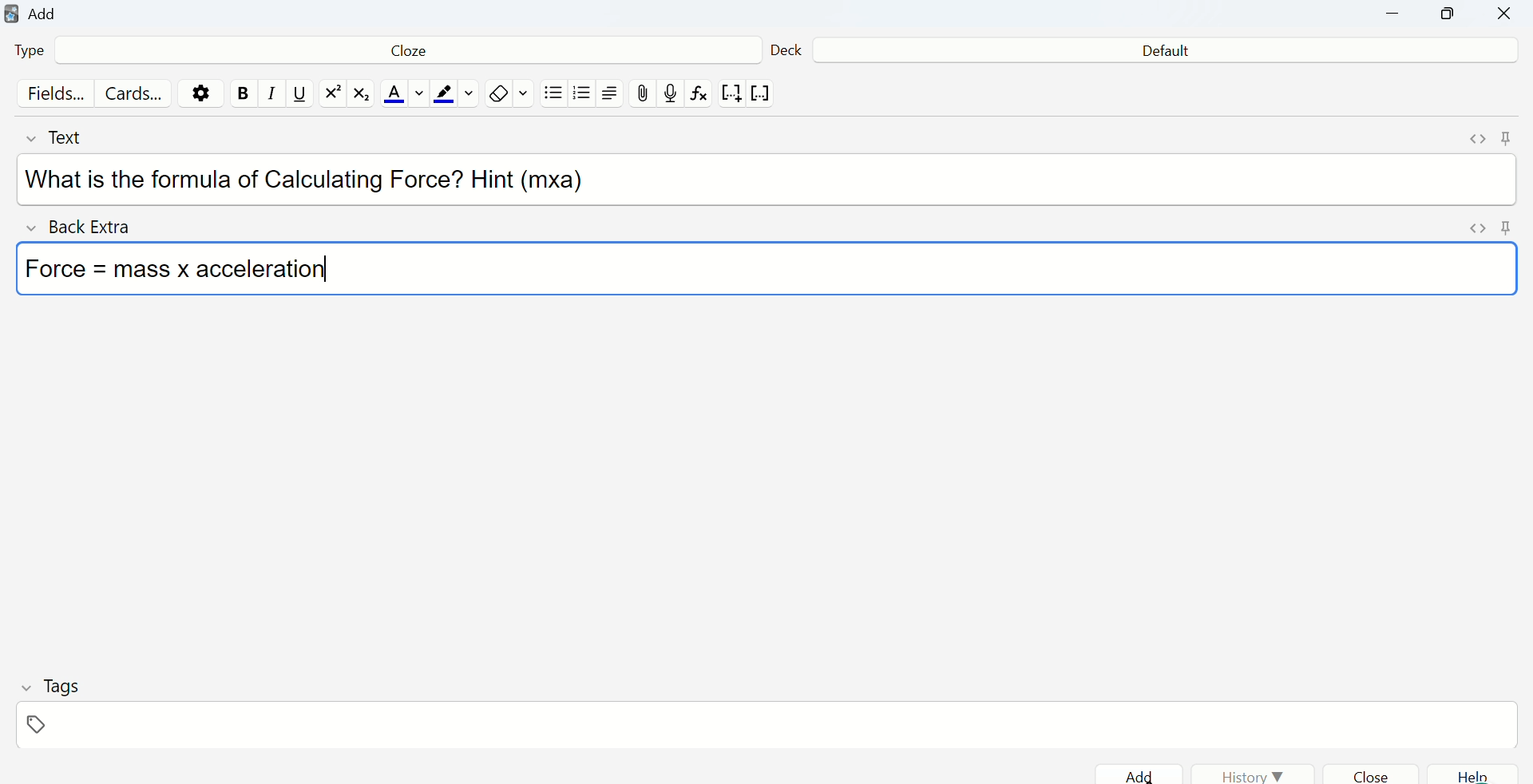 The image size is (1533, 784). Describe the element at coordinates (456, 95) in the screenshot. I see `Text highlight color` at that location.